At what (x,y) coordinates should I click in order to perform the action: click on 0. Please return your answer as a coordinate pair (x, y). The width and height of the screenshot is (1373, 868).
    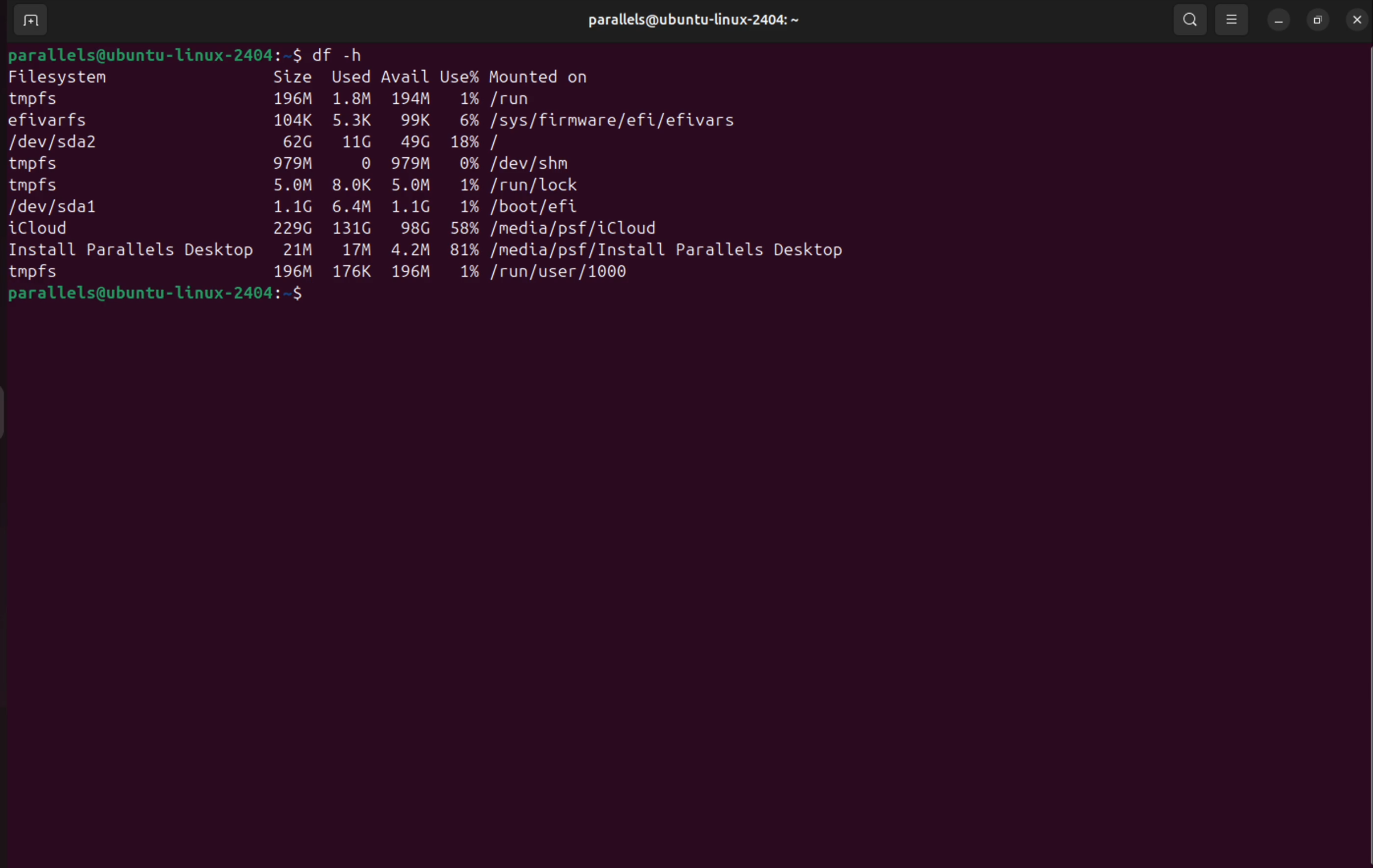
    Looking at the image, I should click on (361, 164).